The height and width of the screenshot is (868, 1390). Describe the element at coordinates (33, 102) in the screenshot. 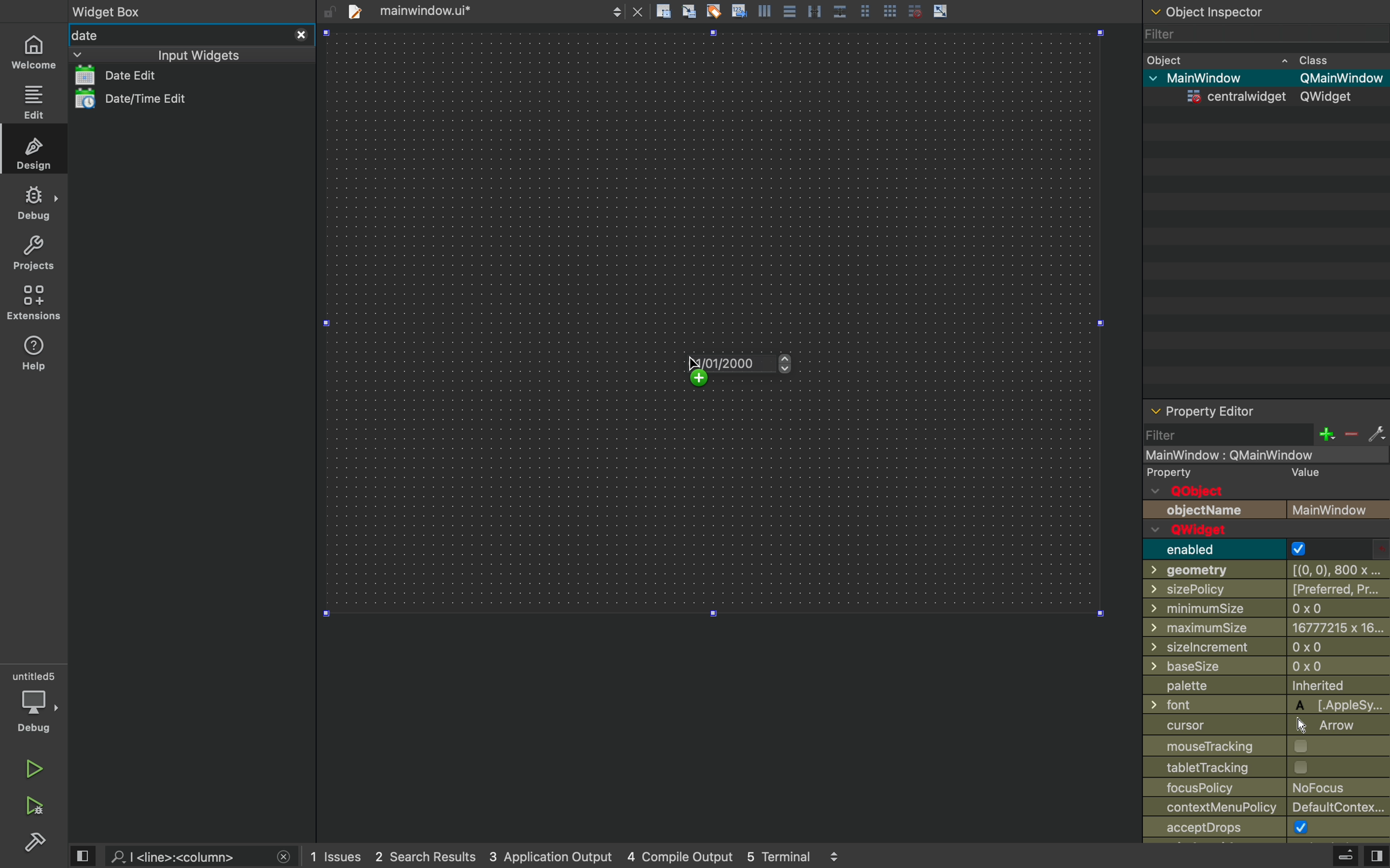

I see `edit` at that location.